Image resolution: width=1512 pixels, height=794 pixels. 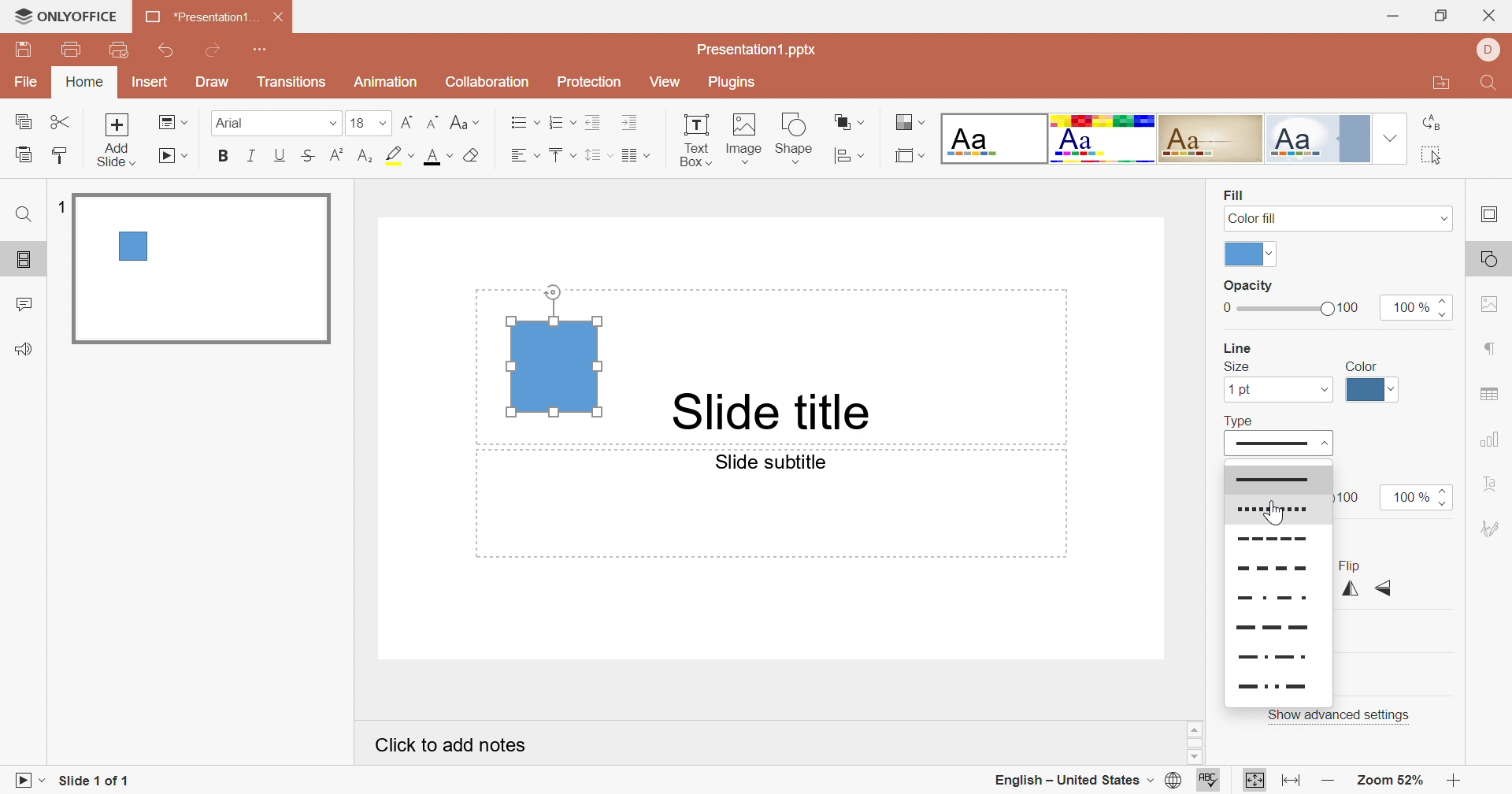 What do you see at coordinates (1069, 779) in the screenshot?
I see `English - United States` at bounding box center [1069, 779].